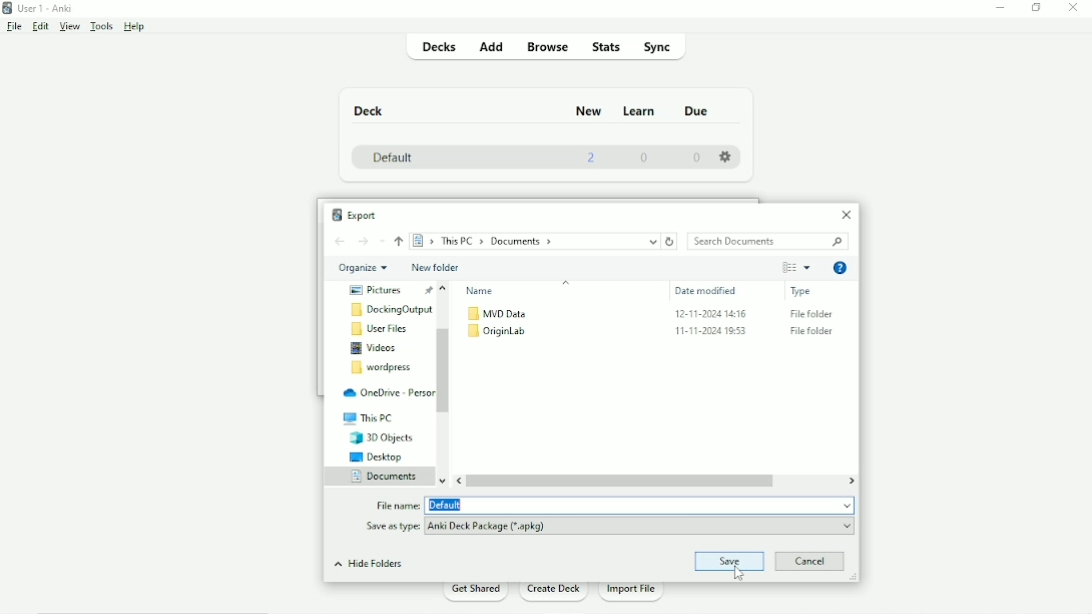 This screenshot has height=614, width=1092. I want to click on Learn, so click(638, 112).